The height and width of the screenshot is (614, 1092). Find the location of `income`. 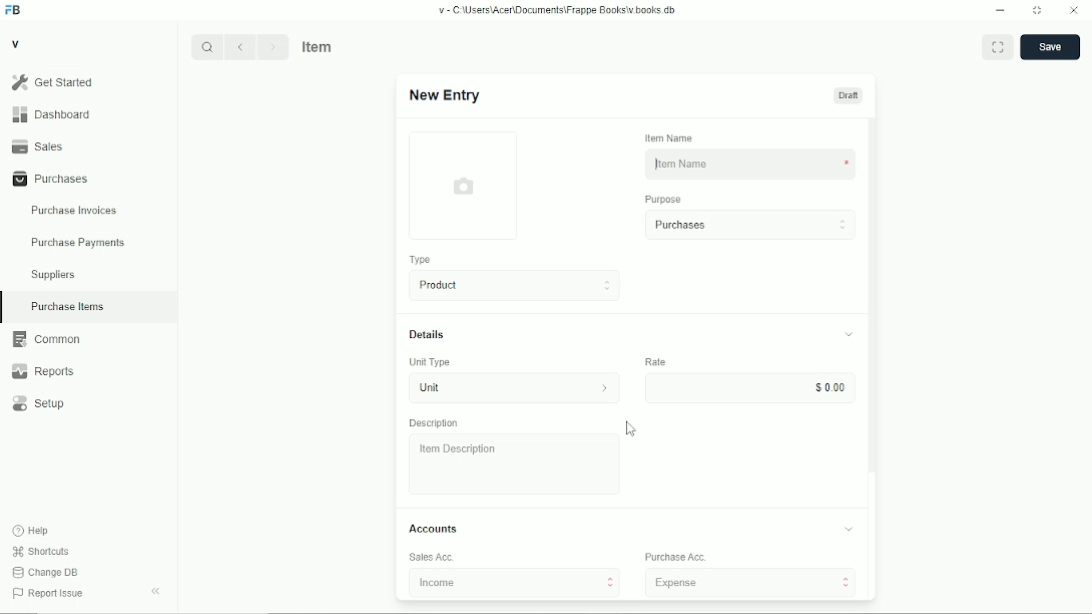

income is located at coordinates (515, 582).